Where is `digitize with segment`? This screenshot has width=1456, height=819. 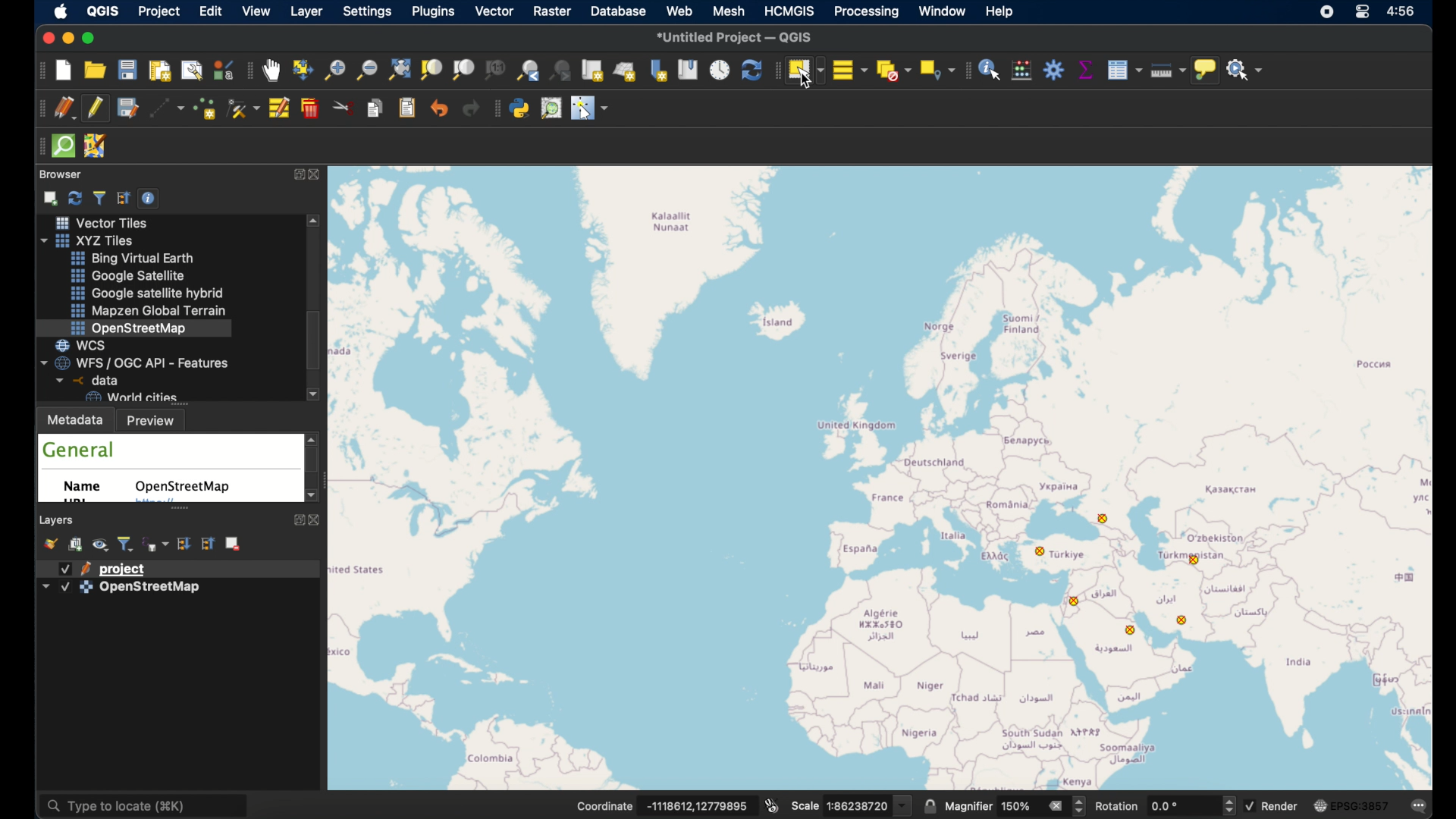 digitize with segment is located at coordinates (169, 110).